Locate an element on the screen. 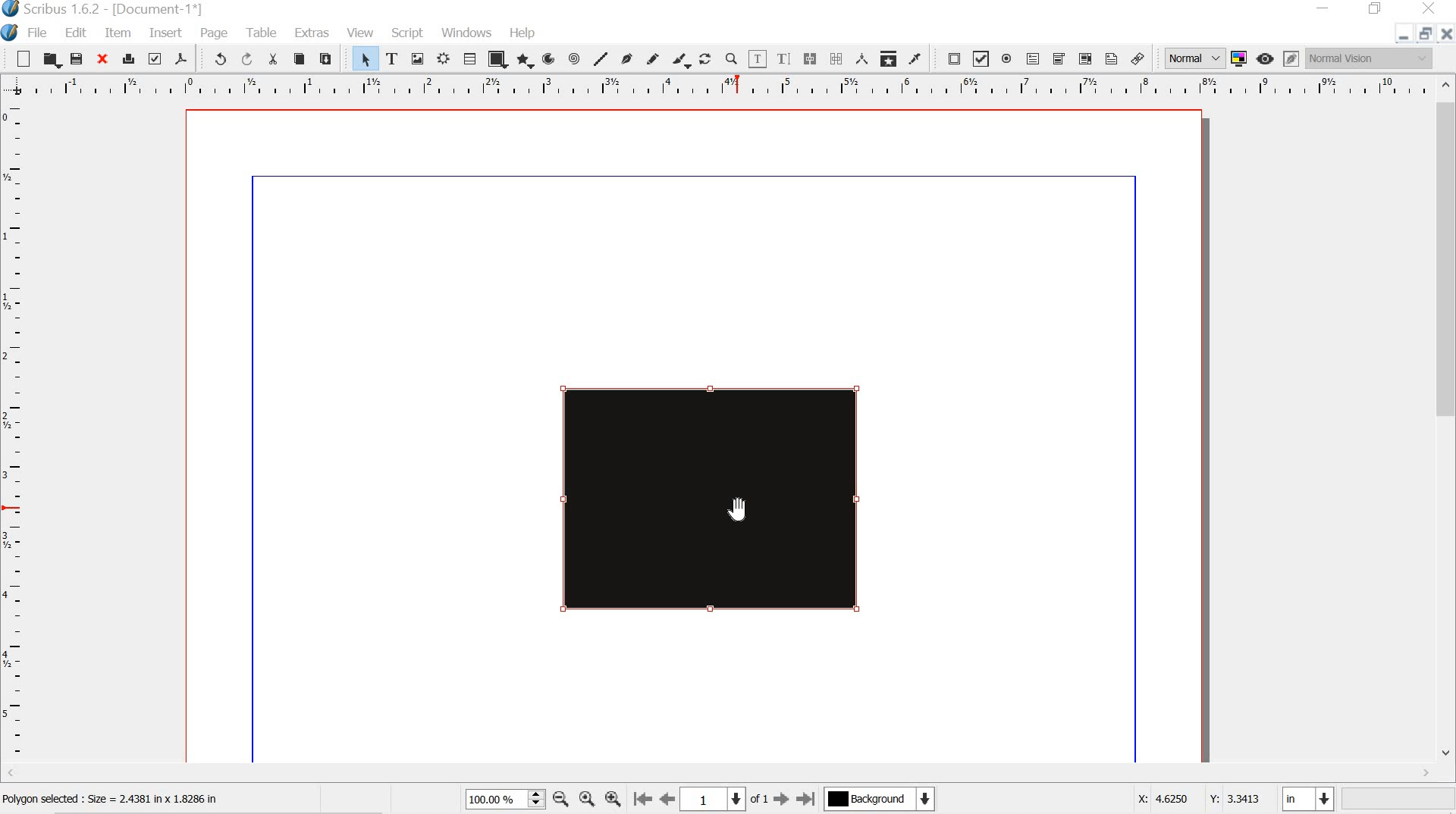  spiral is located at coordinates (573, 58).